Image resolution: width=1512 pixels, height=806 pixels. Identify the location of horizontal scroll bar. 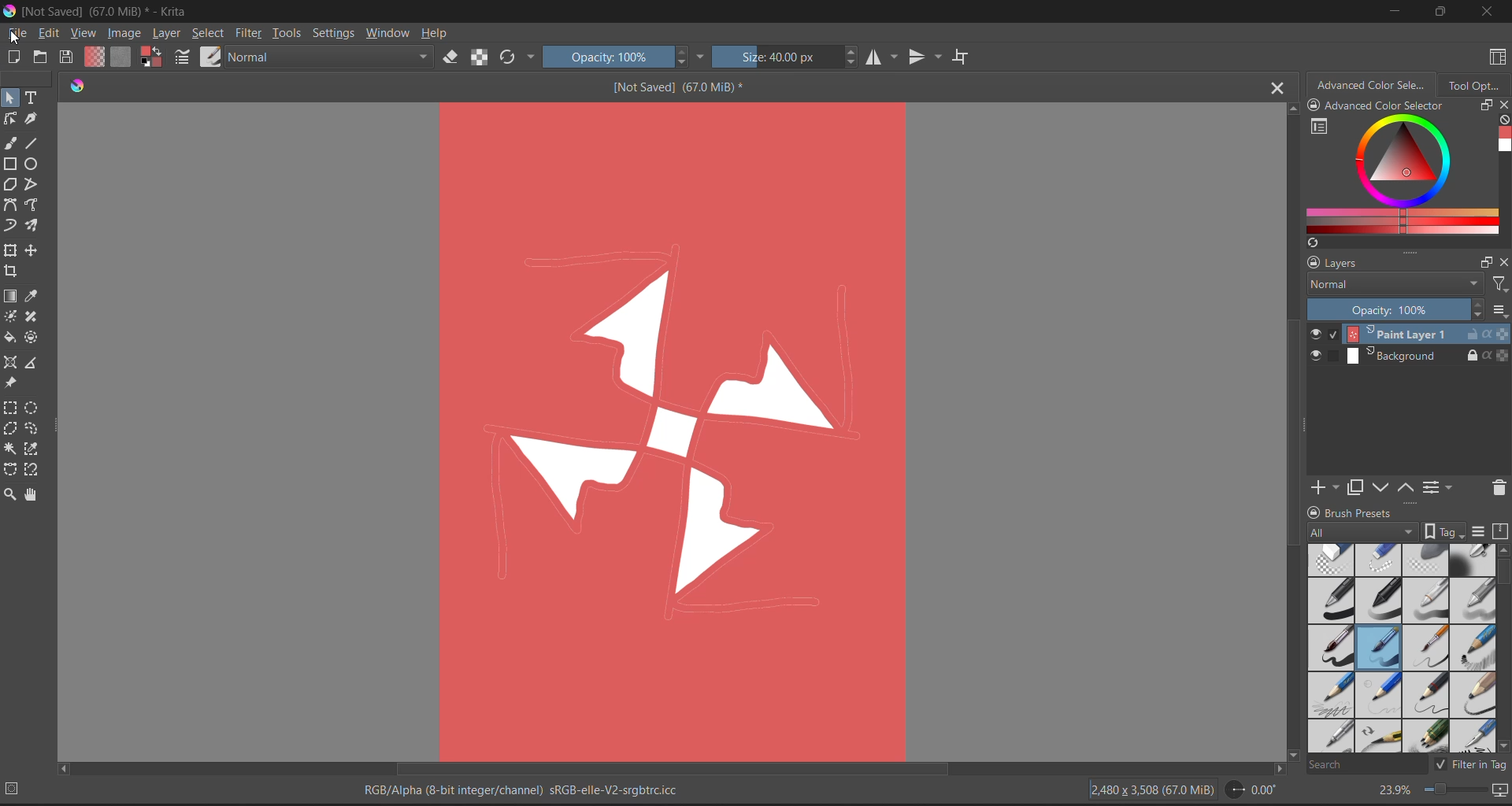
(1503, 574).